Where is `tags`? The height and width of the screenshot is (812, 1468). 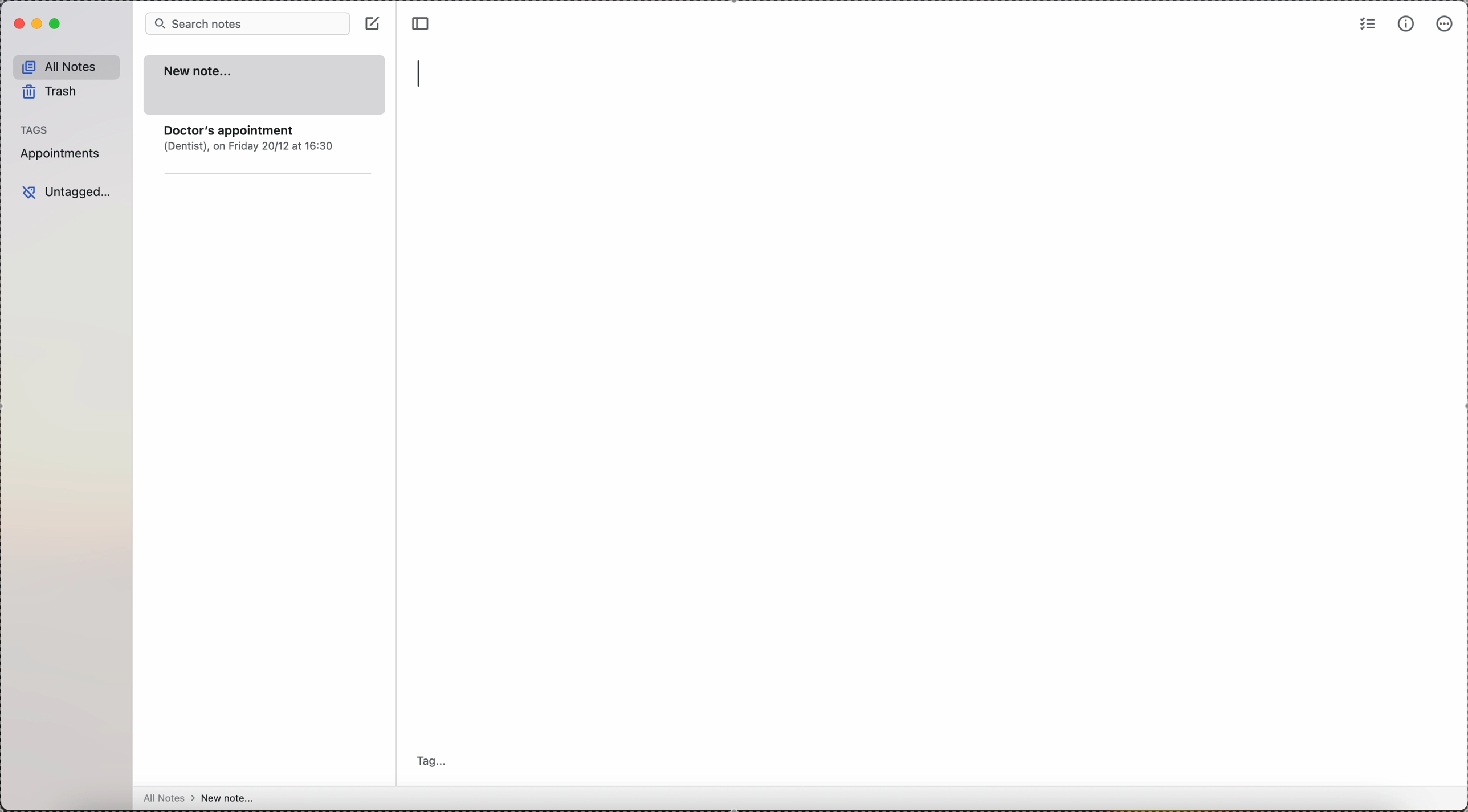 tags is located at coordinates (34, 128).